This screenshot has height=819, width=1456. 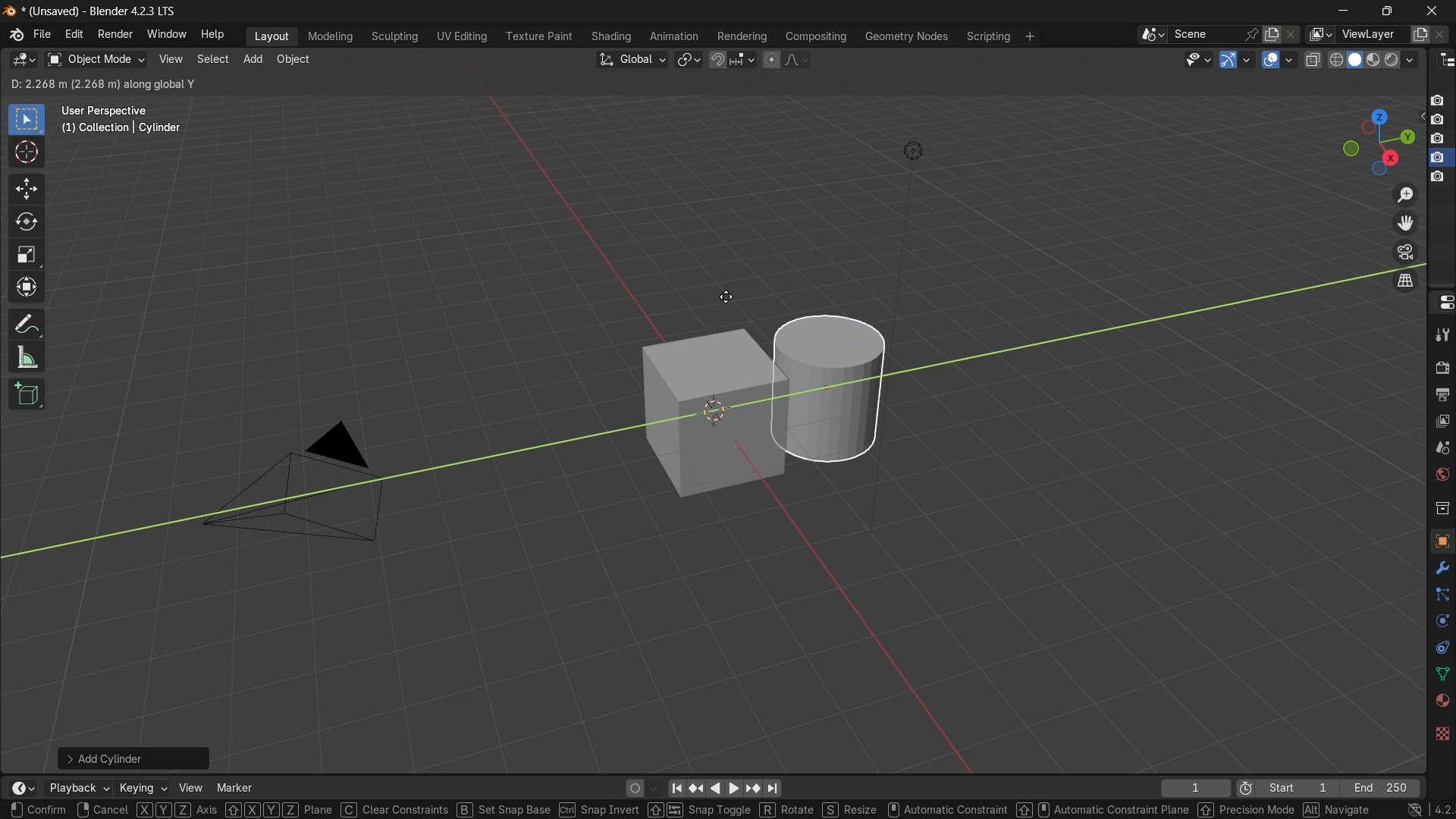 What do you see at coordinates (714, 789) in the screenshot?
I see `back` at bounding box center [714, 789].